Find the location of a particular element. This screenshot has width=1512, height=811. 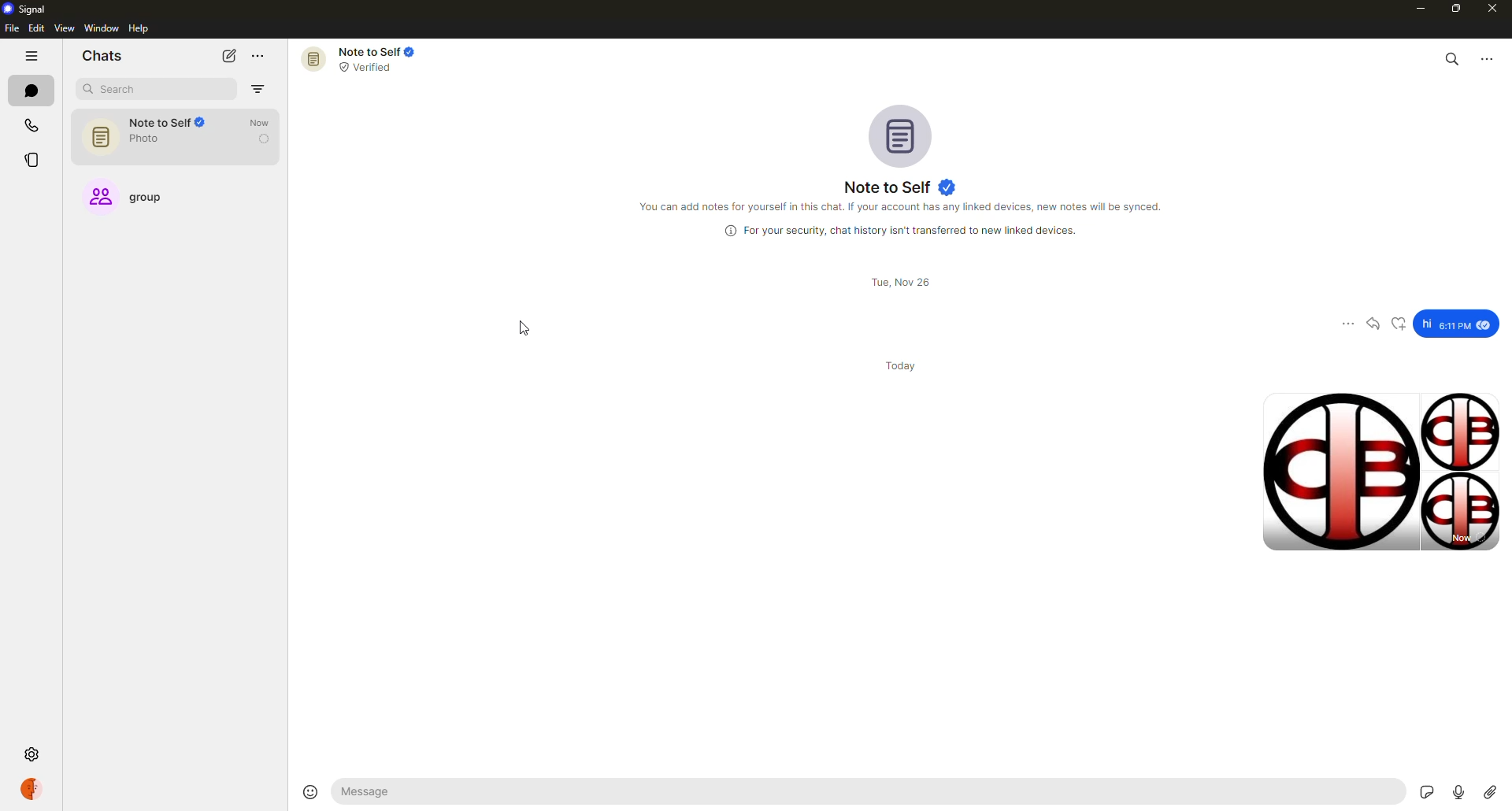

note to self is located at coordinates (900, 187).